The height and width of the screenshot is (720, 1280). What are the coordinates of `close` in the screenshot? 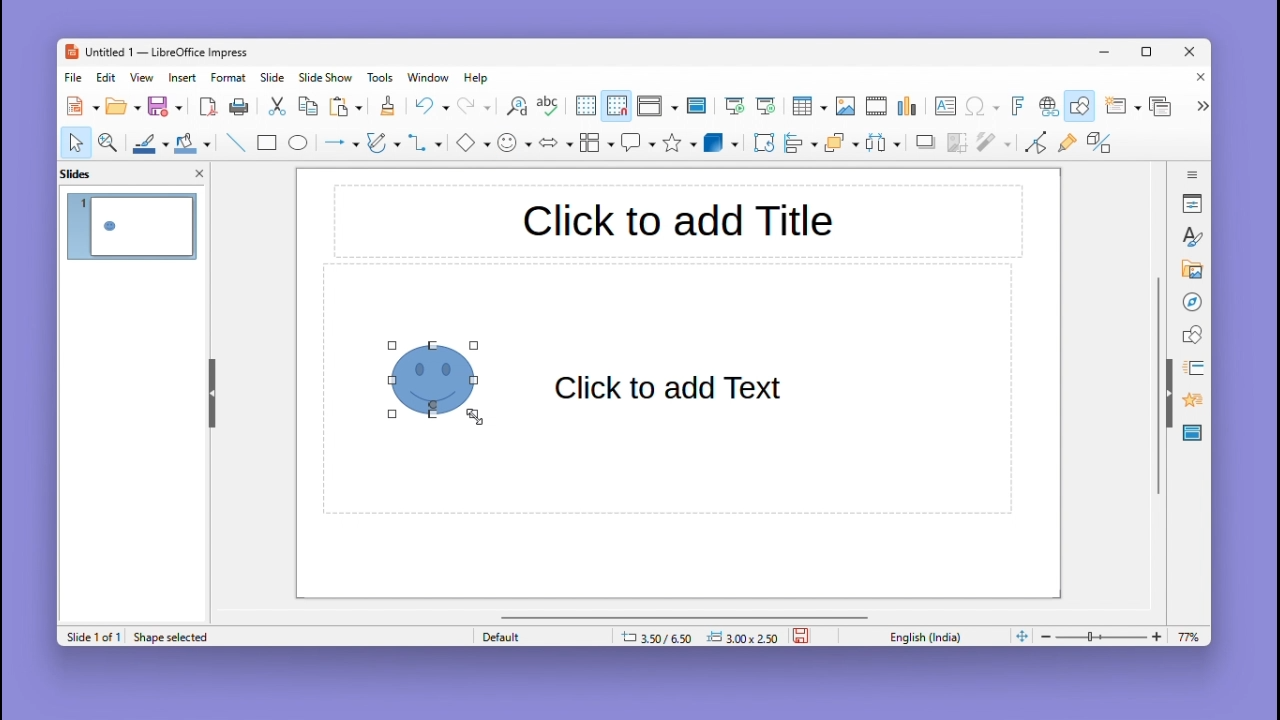 It's located at (199, 172).